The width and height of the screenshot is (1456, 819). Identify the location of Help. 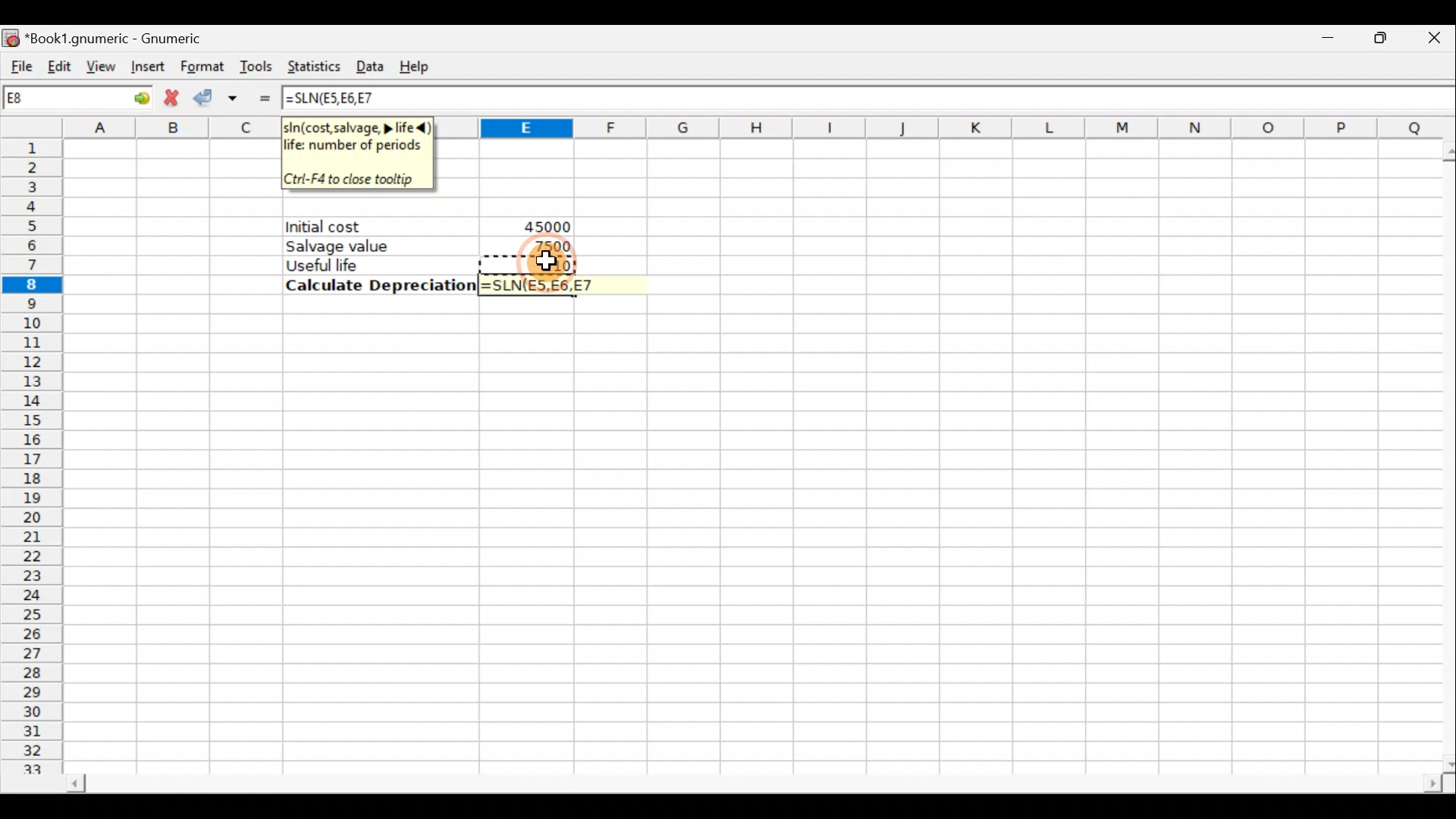
(422, 65).